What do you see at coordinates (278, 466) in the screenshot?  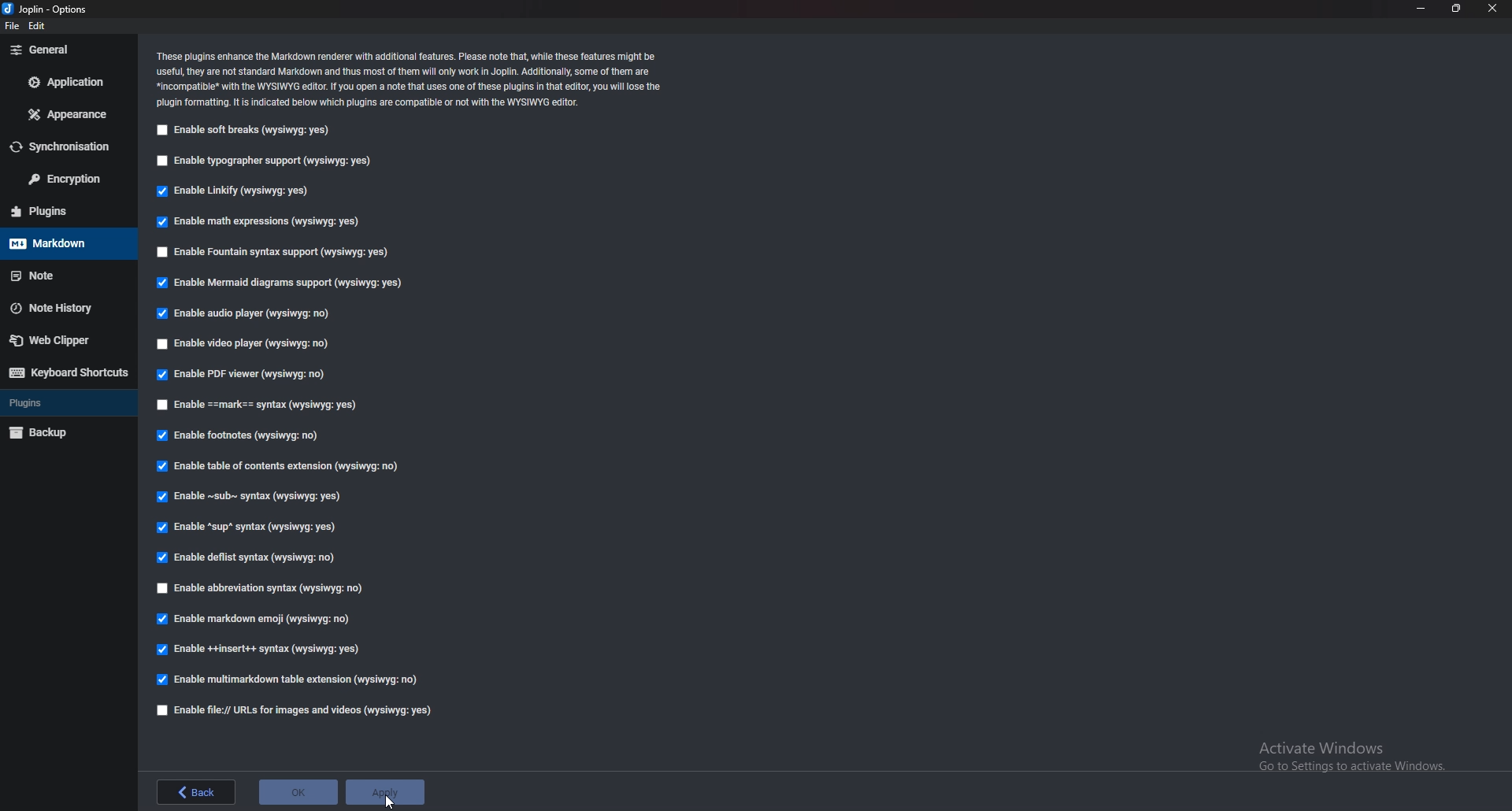 I see `Enable table of contents extension (wysiqyg:no)` at bounding box center [278, 466].